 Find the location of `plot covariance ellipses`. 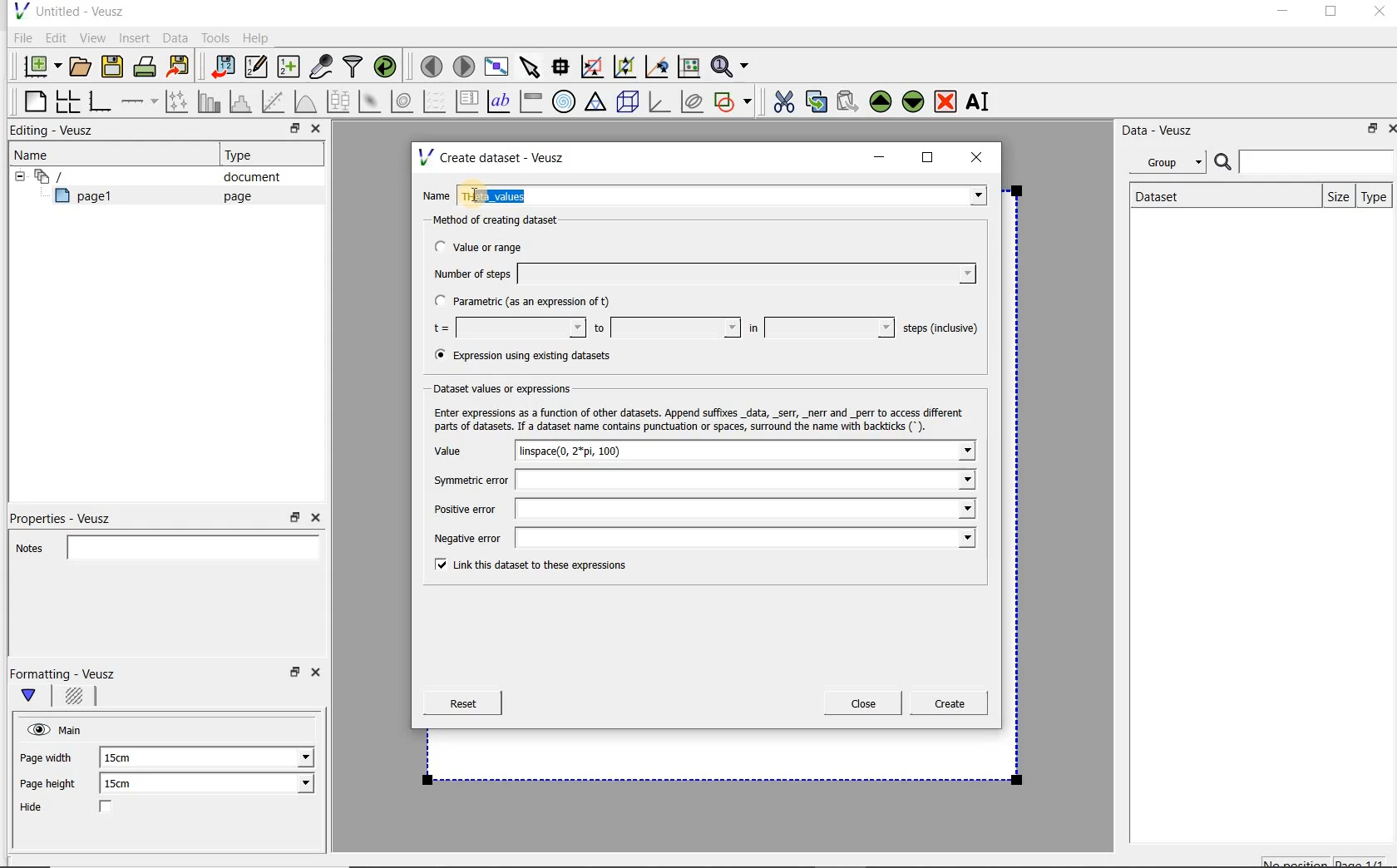

plot covariance ellipses is located at coordinates (693, 101).